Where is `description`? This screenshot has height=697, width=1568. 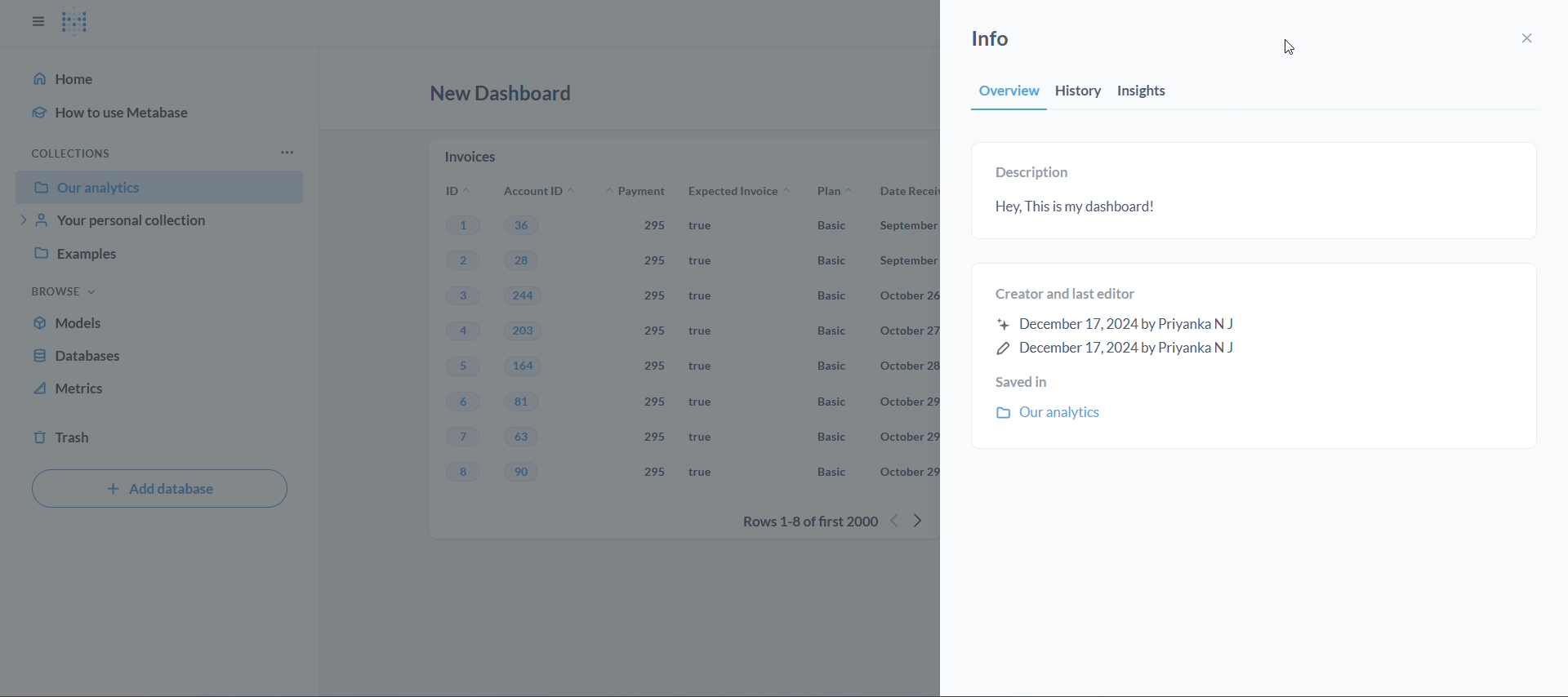
description is located at coordinates (1036, 174).